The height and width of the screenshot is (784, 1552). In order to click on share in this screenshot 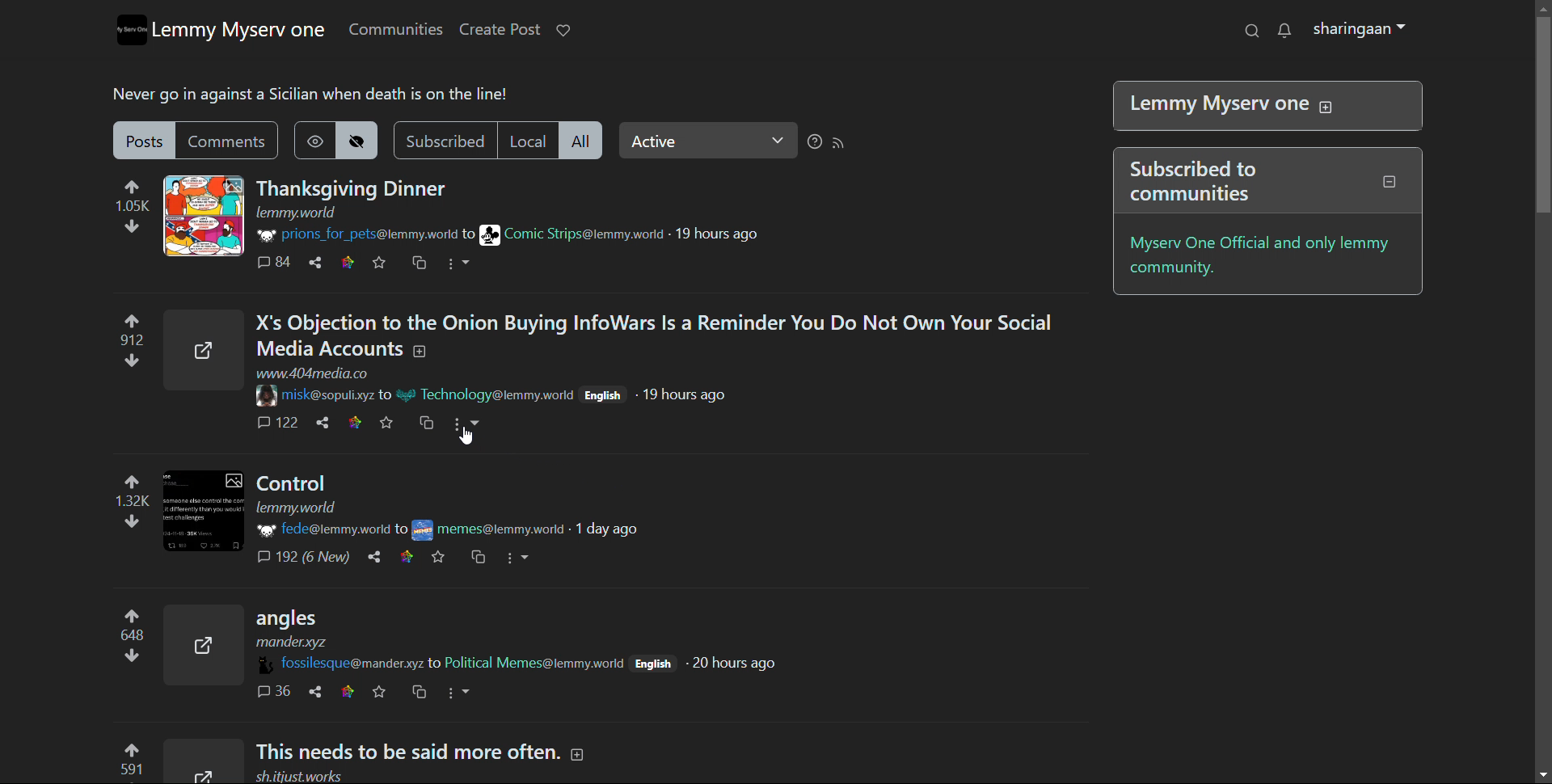, I will do `click(318, 424)`.